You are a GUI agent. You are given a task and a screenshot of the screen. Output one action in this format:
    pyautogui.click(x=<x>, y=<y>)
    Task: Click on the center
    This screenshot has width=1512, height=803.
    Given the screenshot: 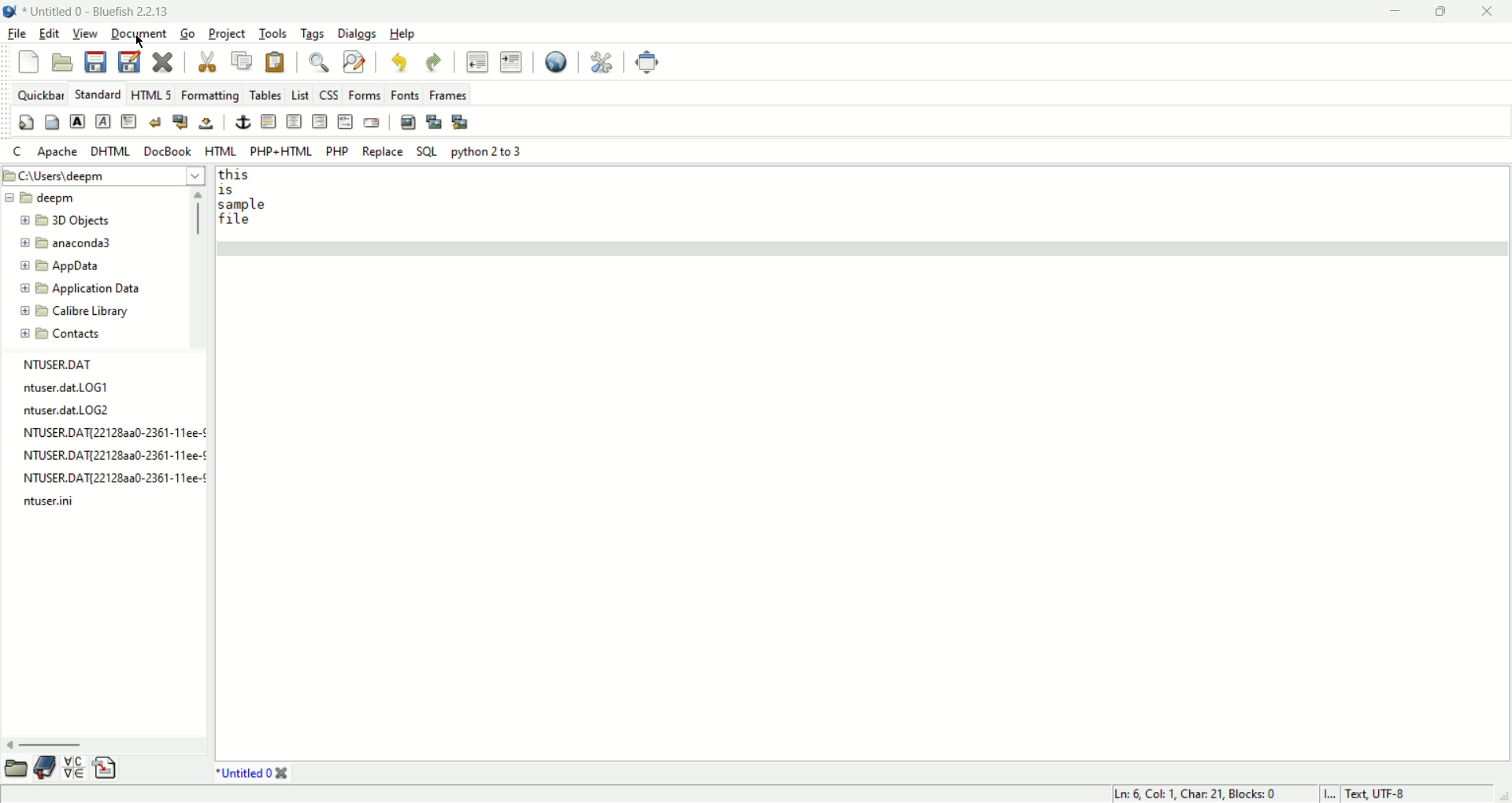 What is the action you would take?
    pyautogui.click(x=293, y=120)
    